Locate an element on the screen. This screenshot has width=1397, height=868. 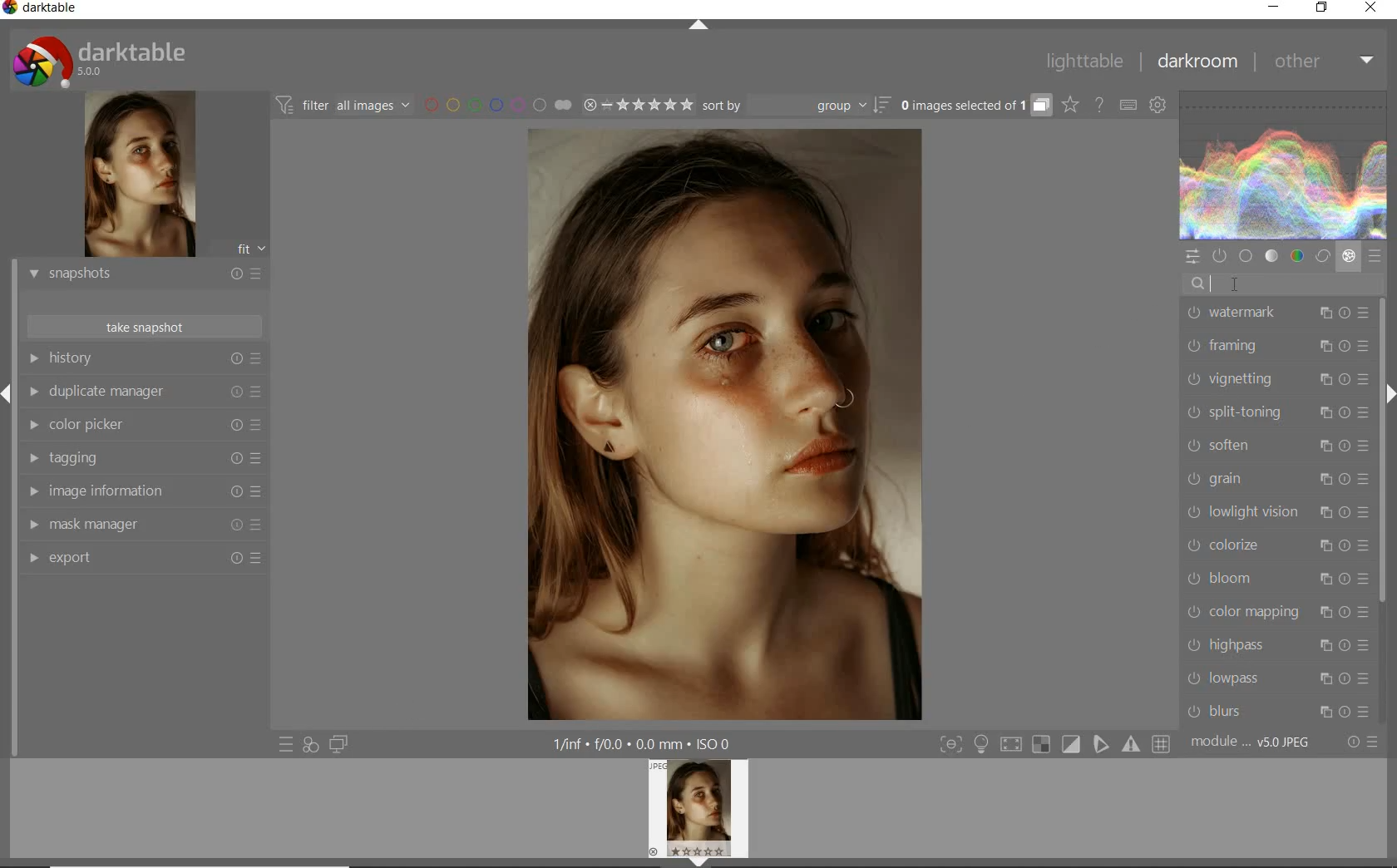
enable online help is located at coordinates (1100, 106).